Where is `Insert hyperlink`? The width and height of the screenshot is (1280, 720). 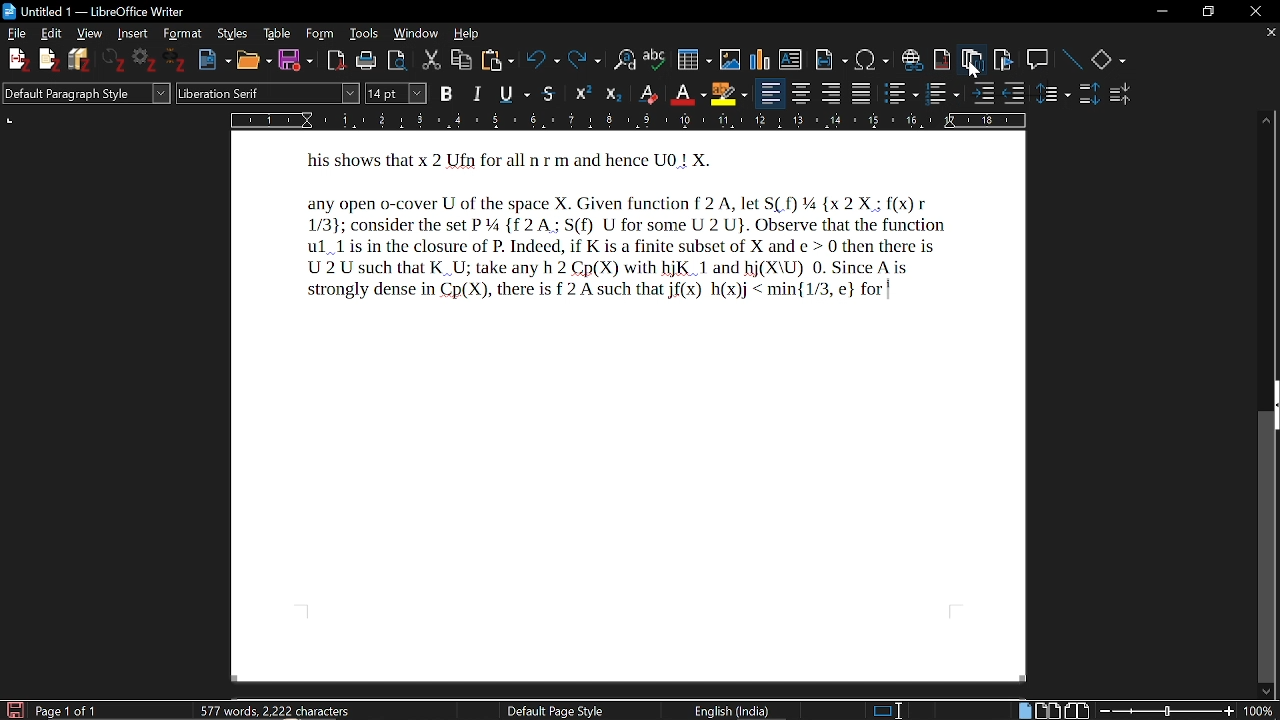
Insert hyperlink is located at coordinates (913, 60).